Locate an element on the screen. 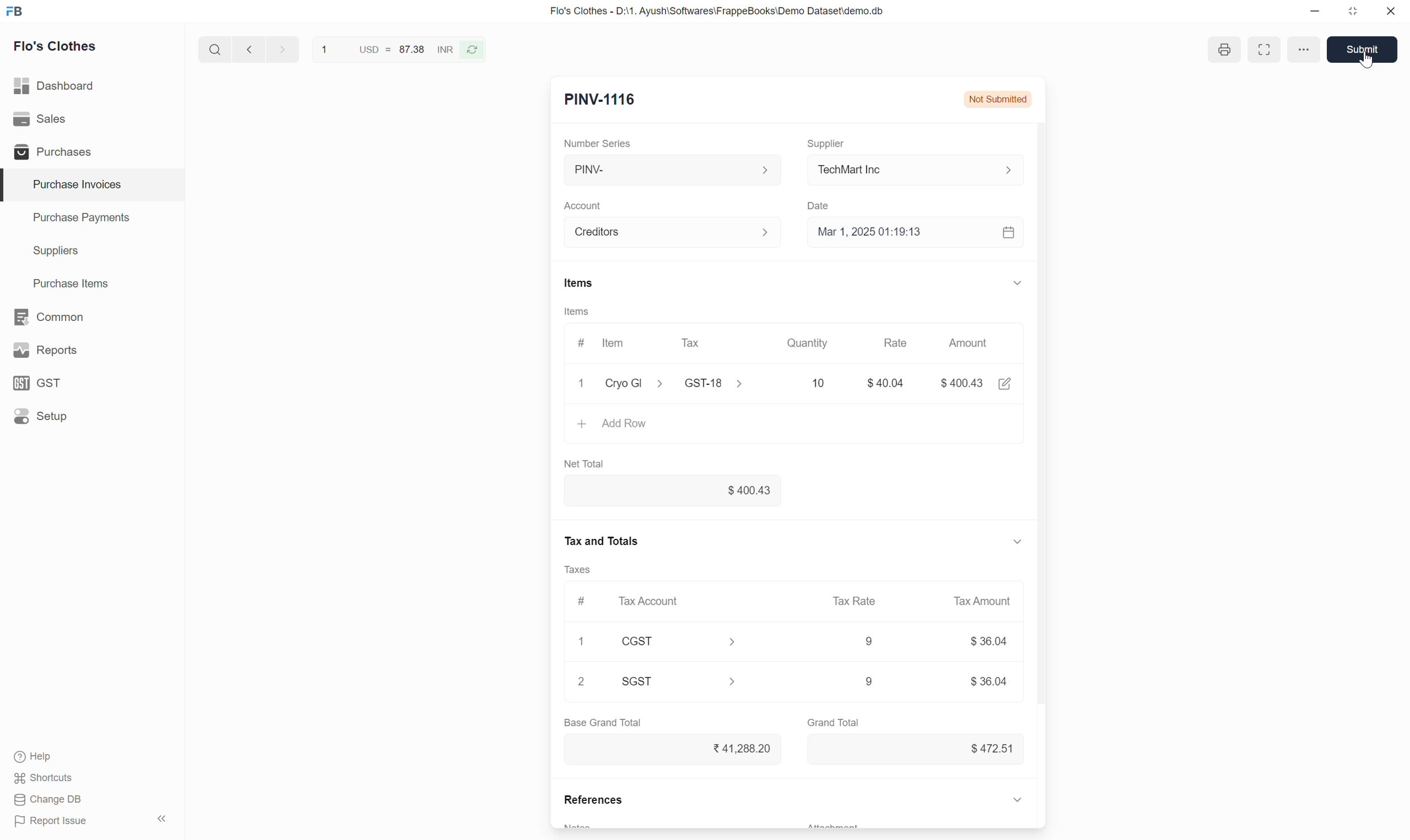  $47.25 is located at coordinates (988, 748).